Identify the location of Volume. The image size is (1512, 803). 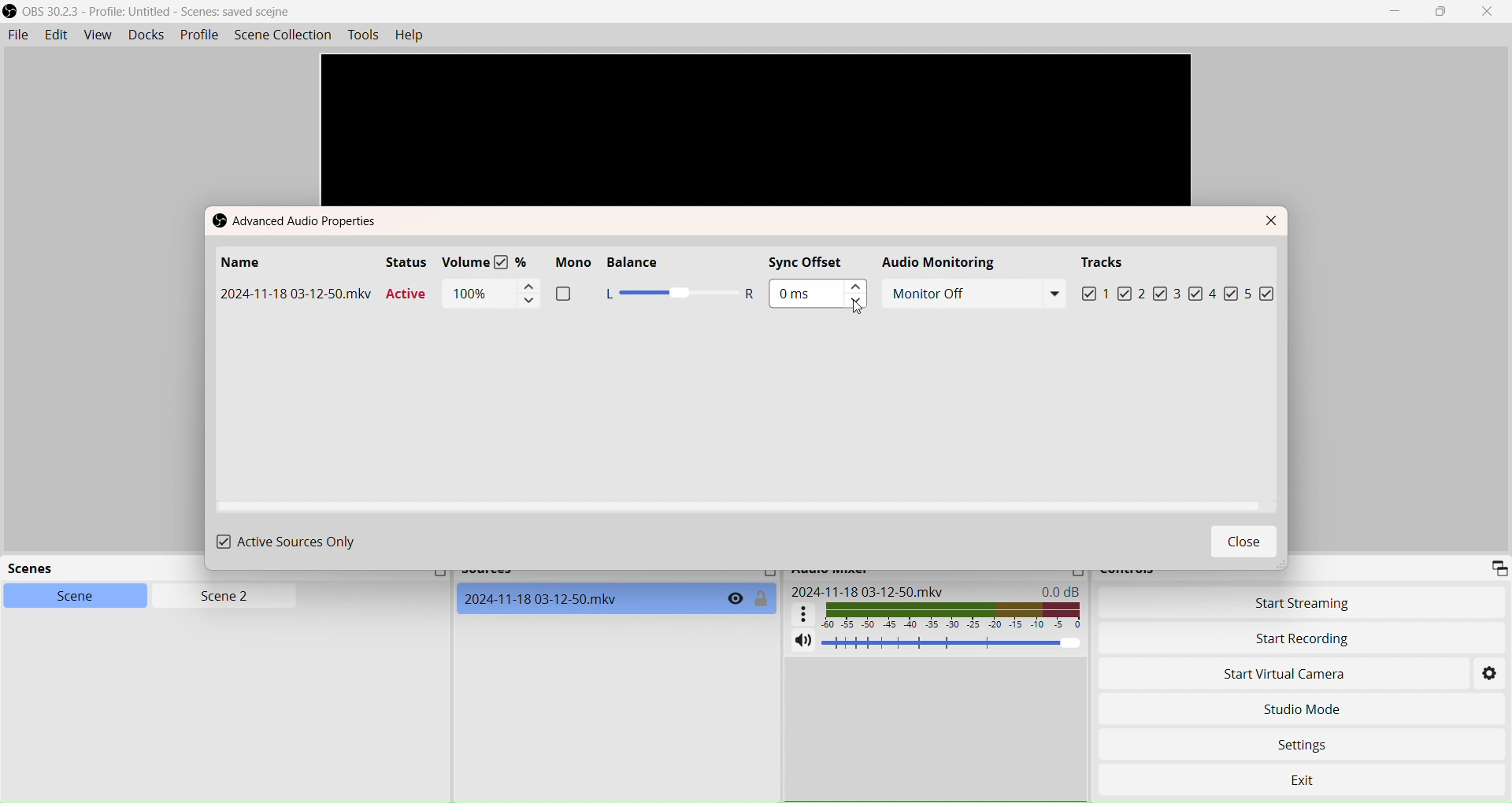
(953, 643).